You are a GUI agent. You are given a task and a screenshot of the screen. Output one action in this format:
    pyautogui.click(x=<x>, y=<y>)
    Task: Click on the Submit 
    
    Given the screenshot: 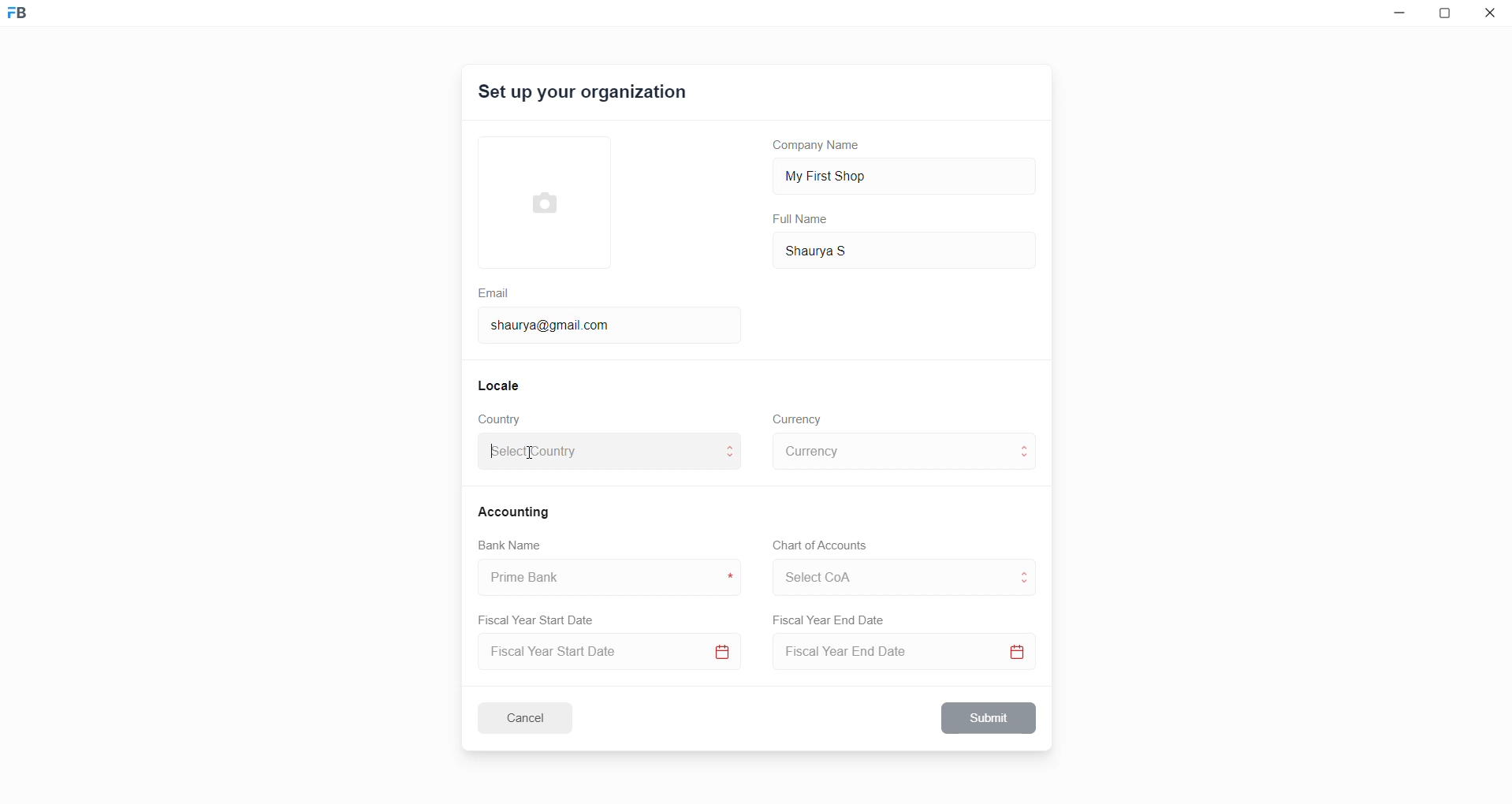 What is the action you would take?
    pyautogui.click(x=990, y=718)
    